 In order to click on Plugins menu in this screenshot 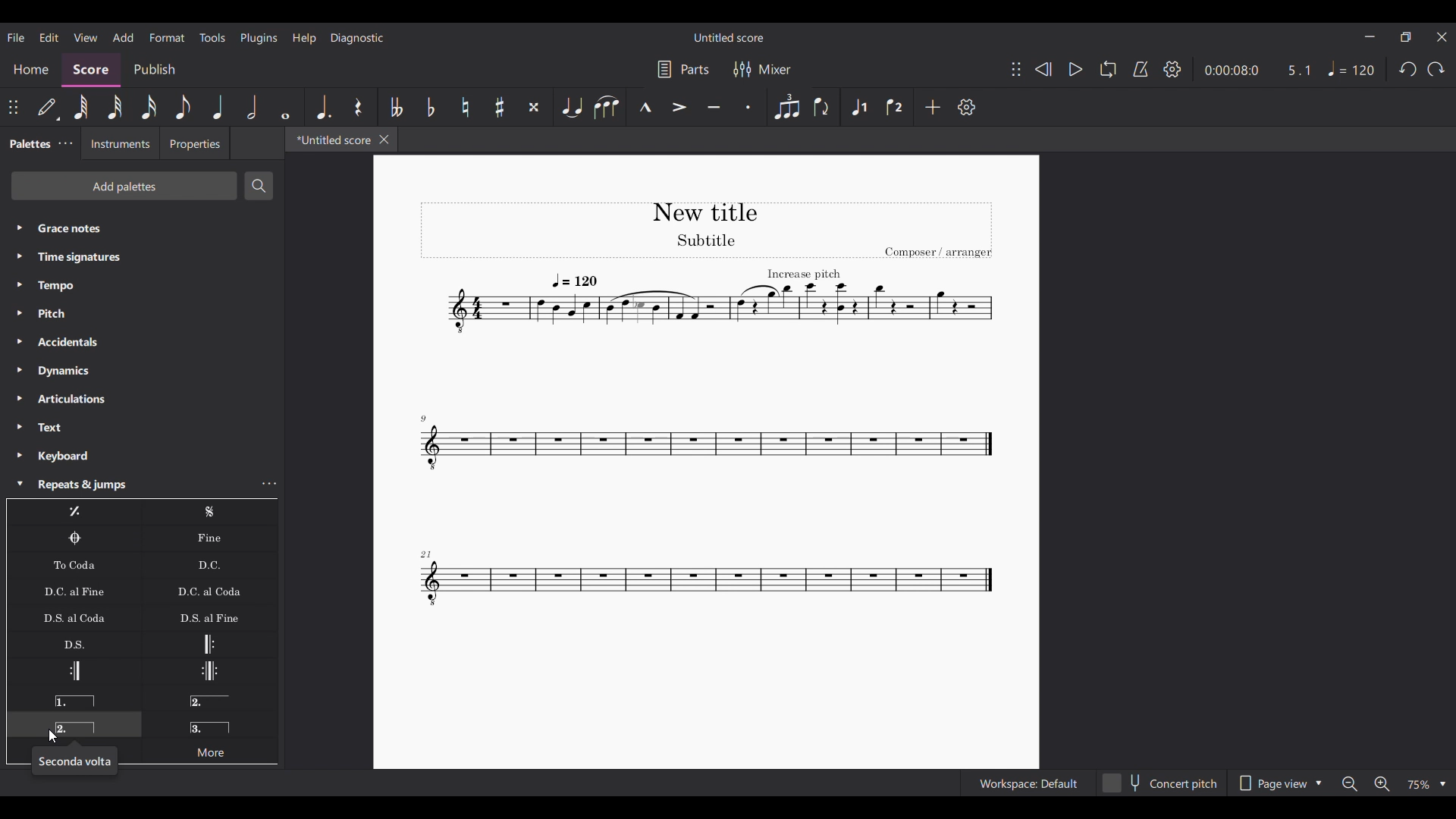, I will do `click(259, 38)`.